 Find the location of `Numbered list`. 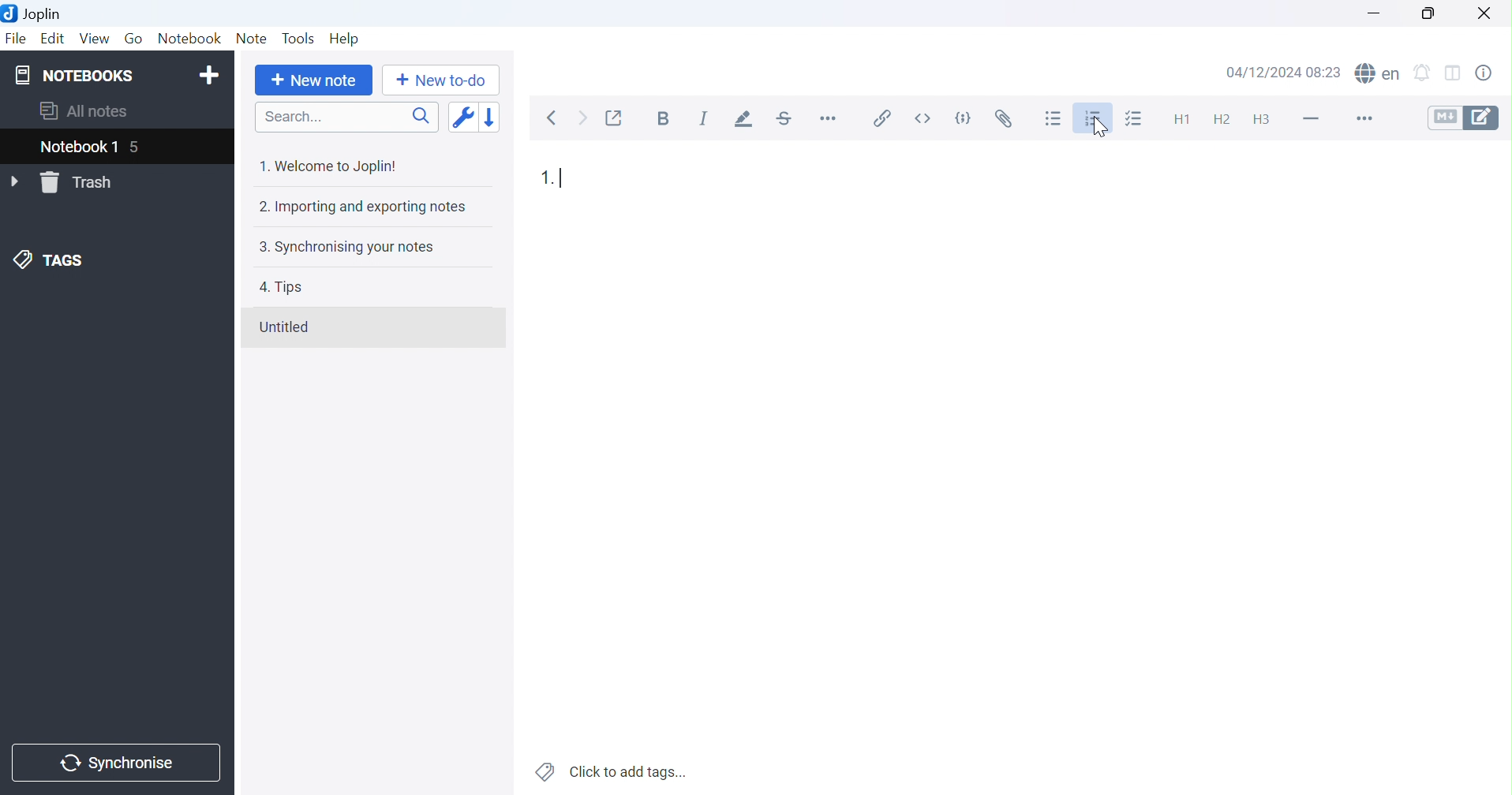

Numbered list is located at coordinates (1093, 120).